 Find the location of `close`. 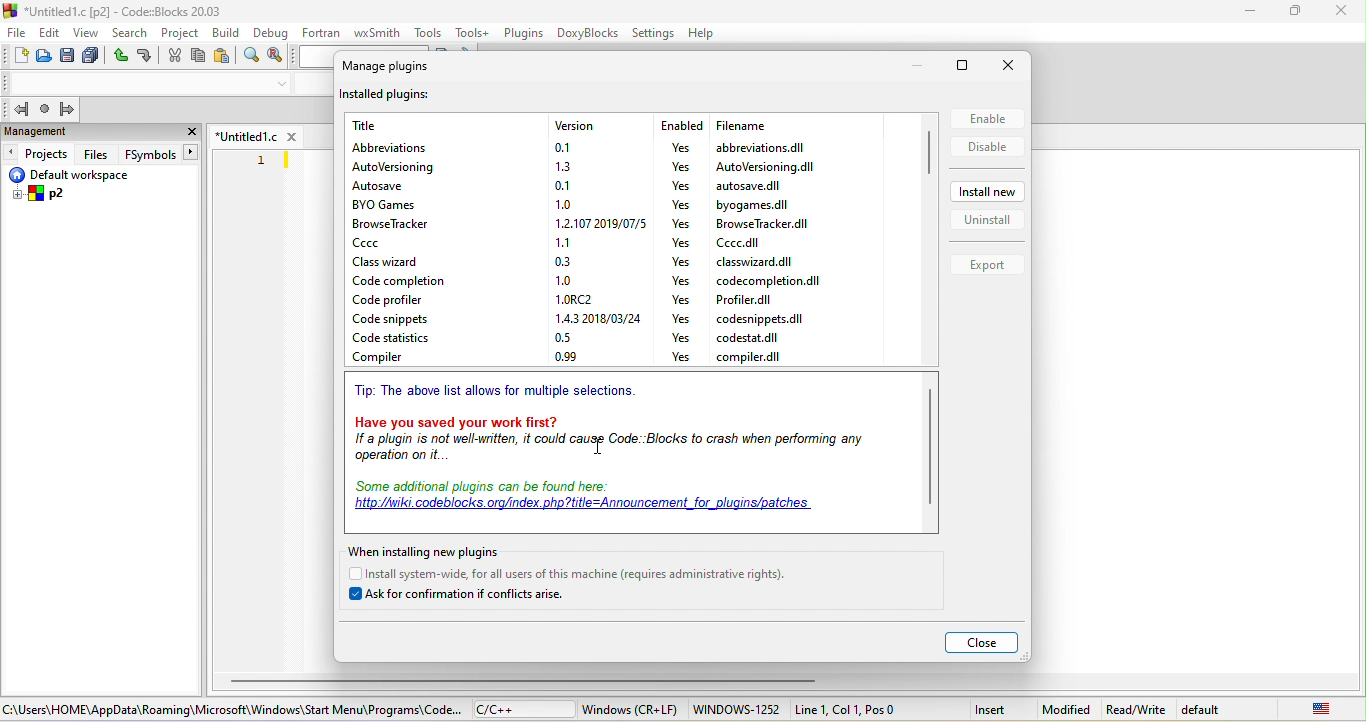

close is located at coordinates (1343, 11).